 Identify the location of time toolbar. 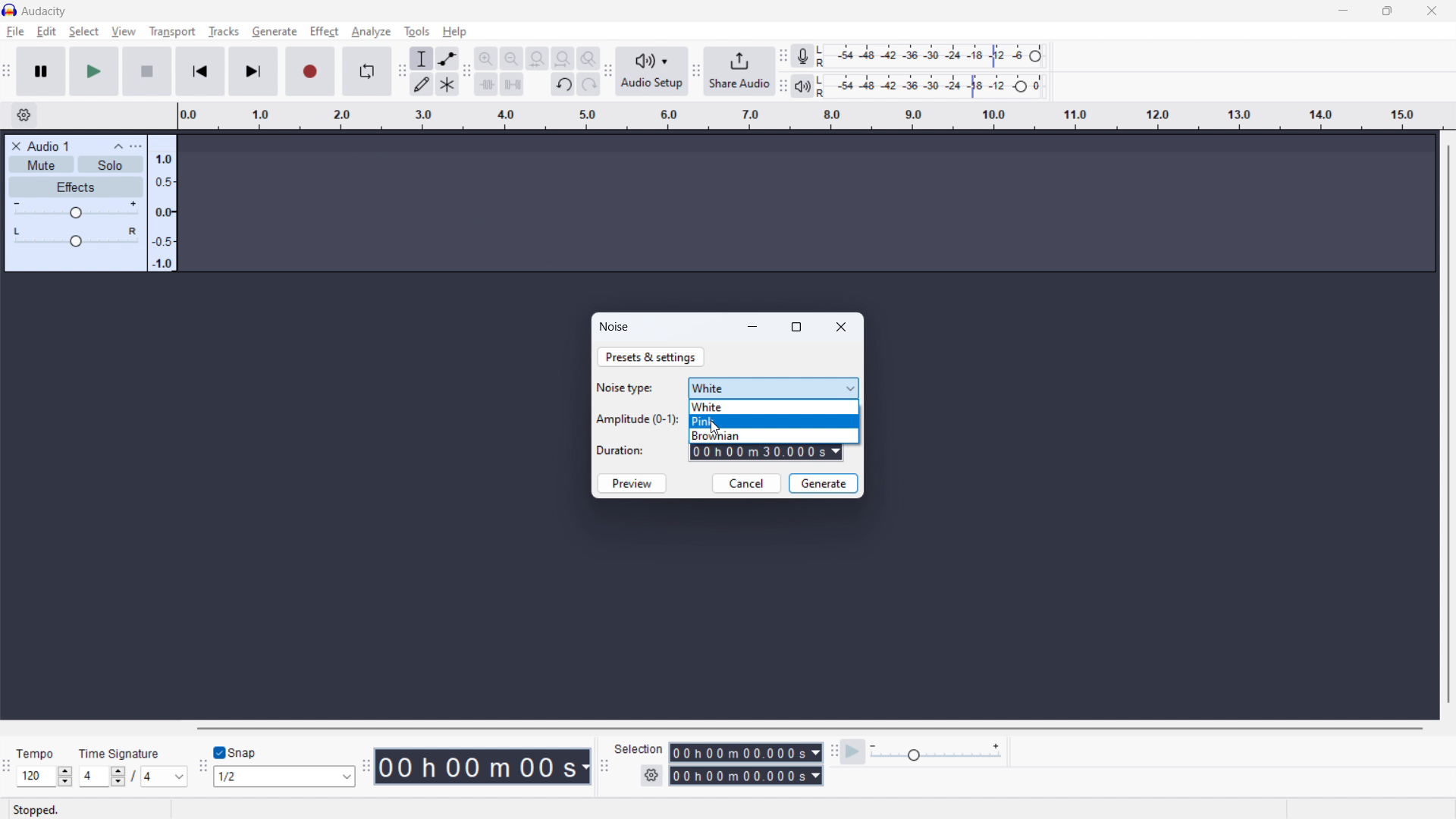
(368, 765).